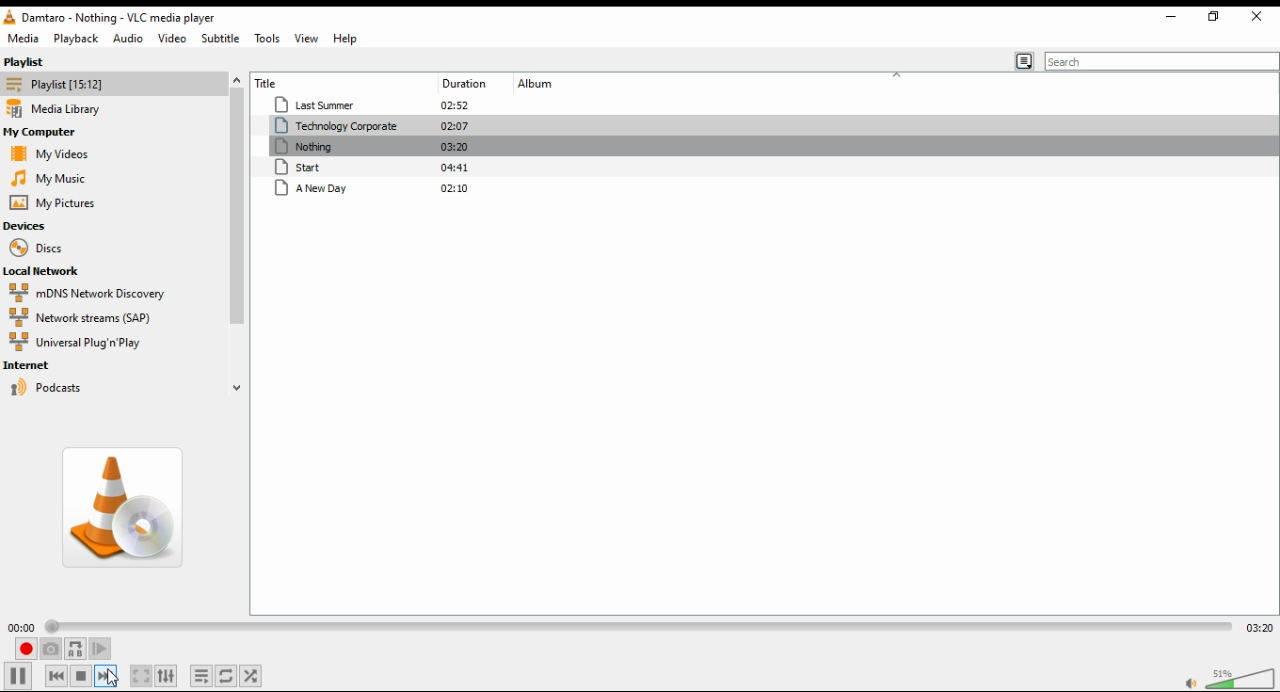  Describe the element at coordinates (1188, 684) in the screenshot. I see `mute/unmute` at that location.